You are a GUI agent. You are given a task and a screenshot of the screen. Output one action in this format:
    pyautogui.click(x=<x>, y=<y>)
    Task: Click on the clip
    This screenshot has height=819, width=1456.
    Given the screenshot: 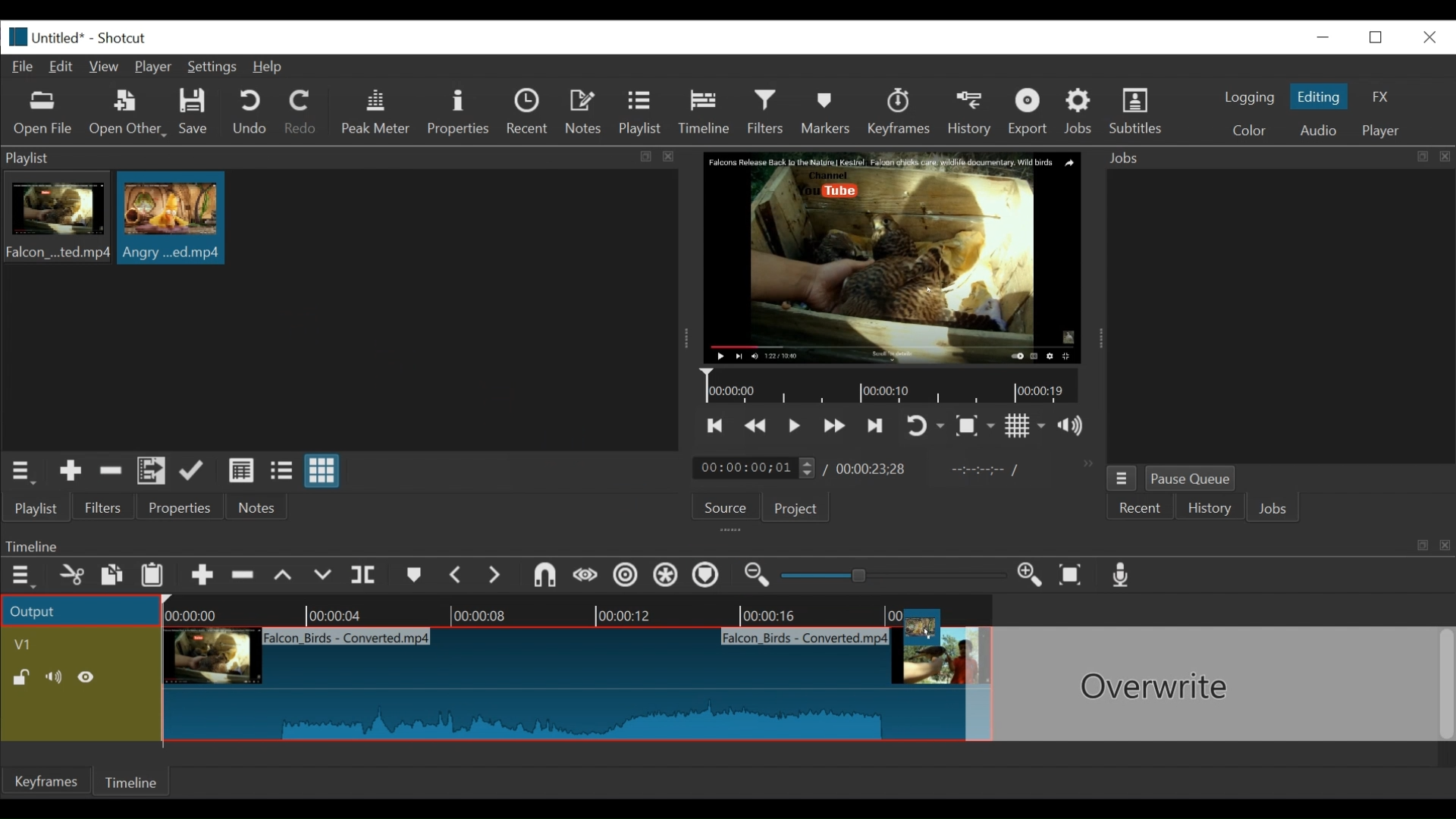 What is the action you would take?
    pyautogui.click(x=171, y=219)
    